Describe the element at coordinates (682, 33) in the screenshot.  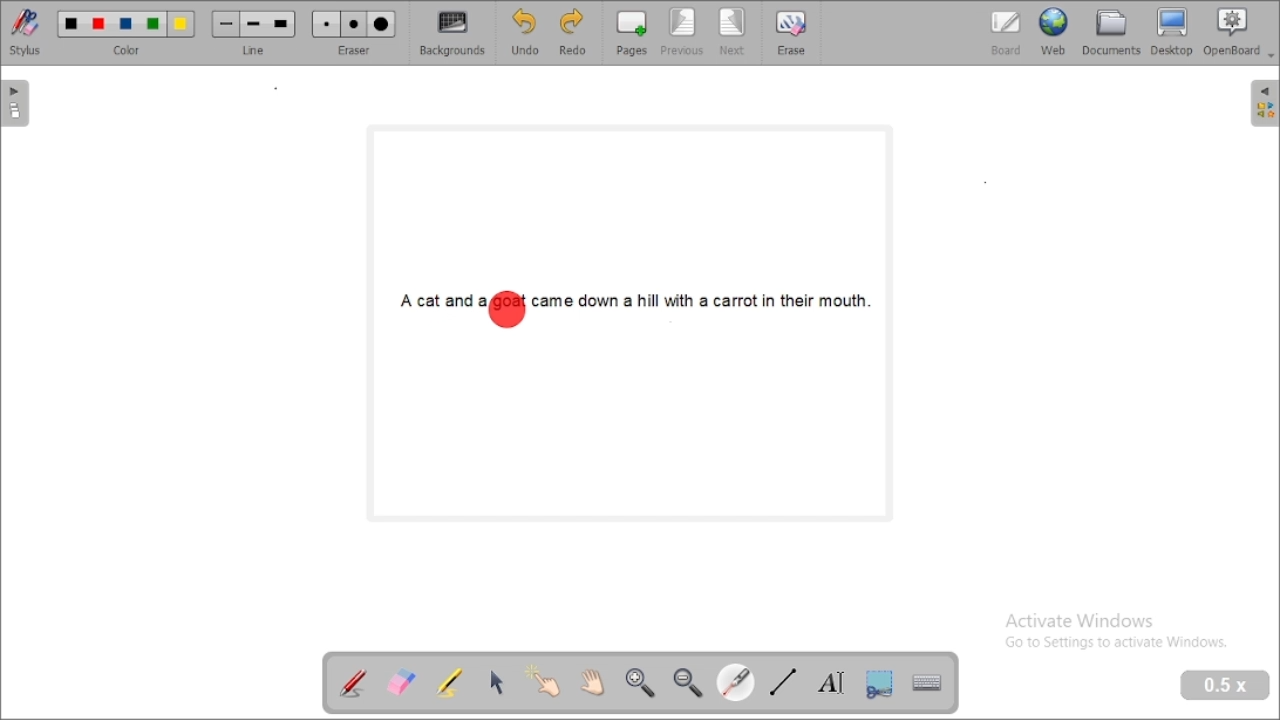
I see `previous` at that location.